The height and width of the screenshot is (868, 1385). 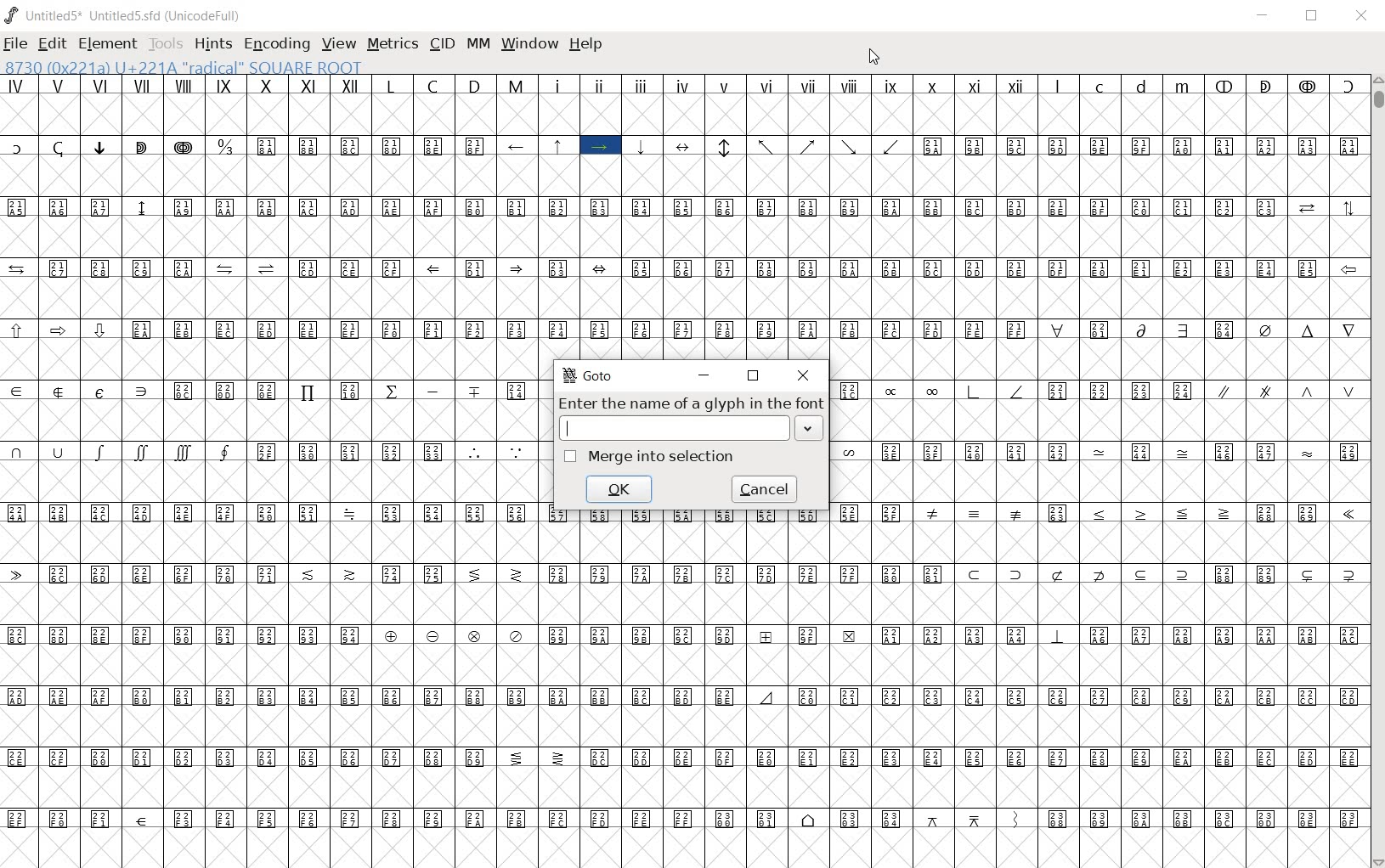 I want to click on SCROLLBAR, so click(x=1377, y=470).